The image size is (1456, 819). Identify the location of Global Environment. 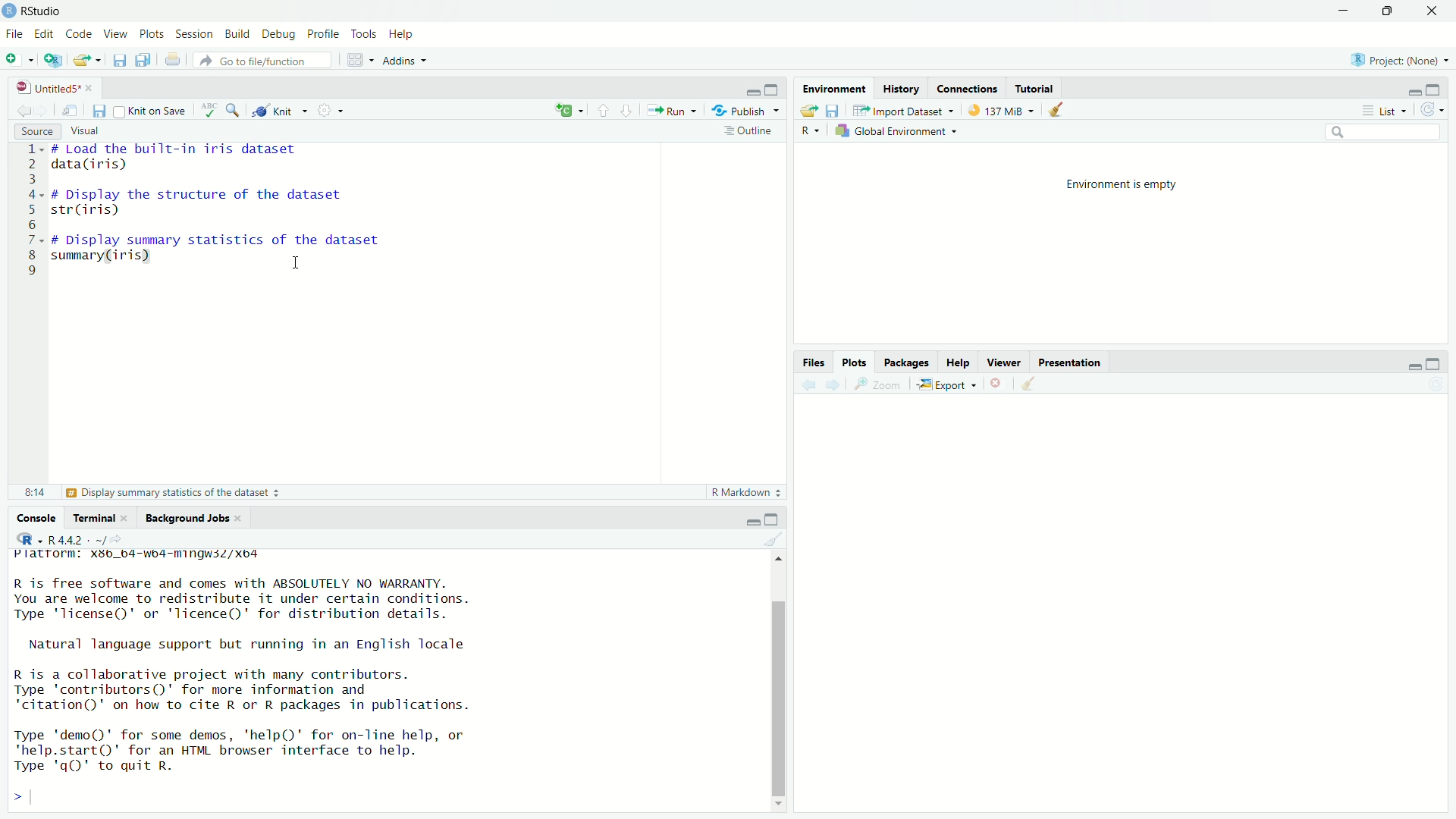
(895, 131).